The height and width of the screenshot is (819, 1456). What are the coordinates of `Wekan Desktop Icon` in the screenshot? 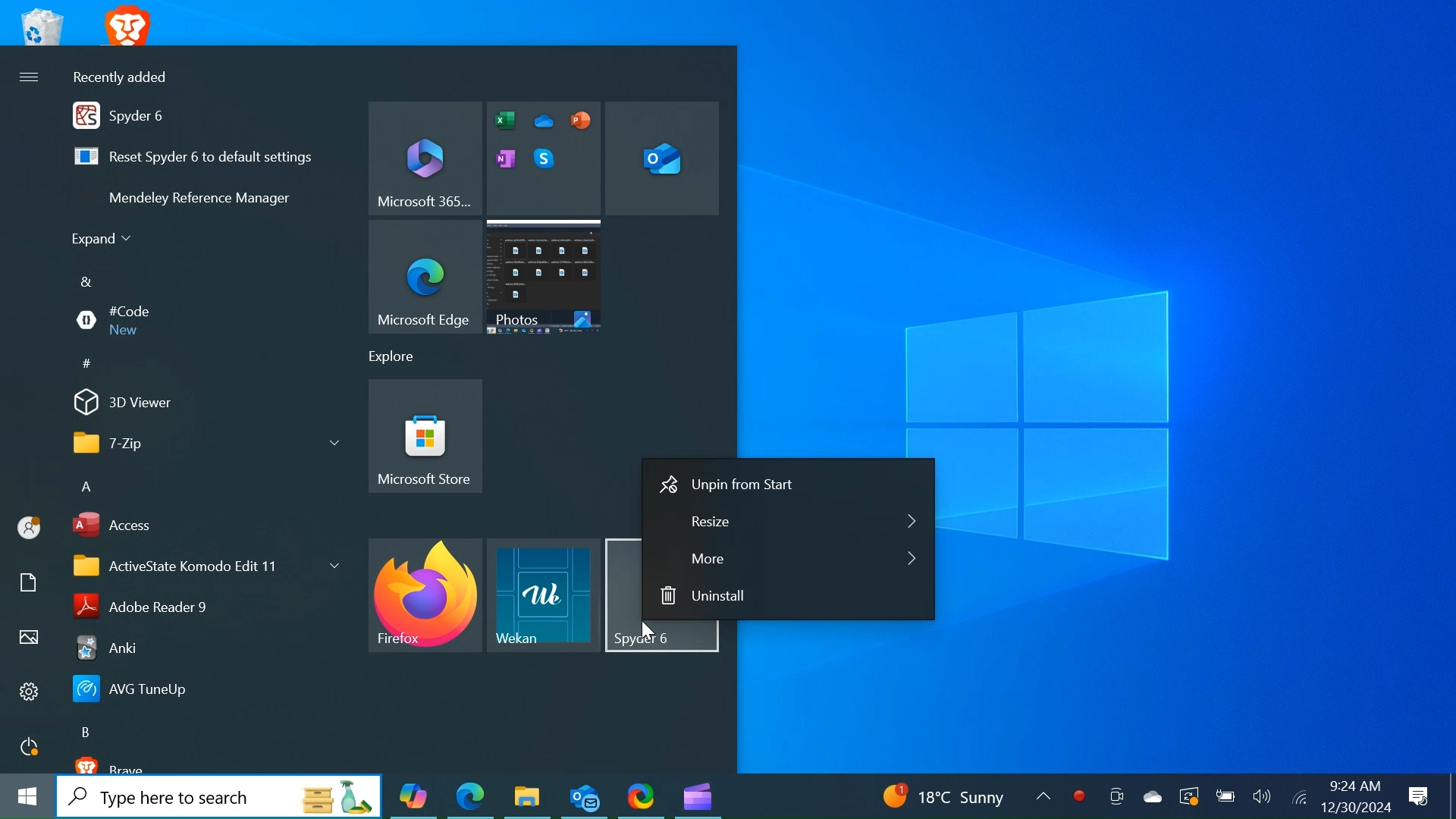 It's located at (544, 595).